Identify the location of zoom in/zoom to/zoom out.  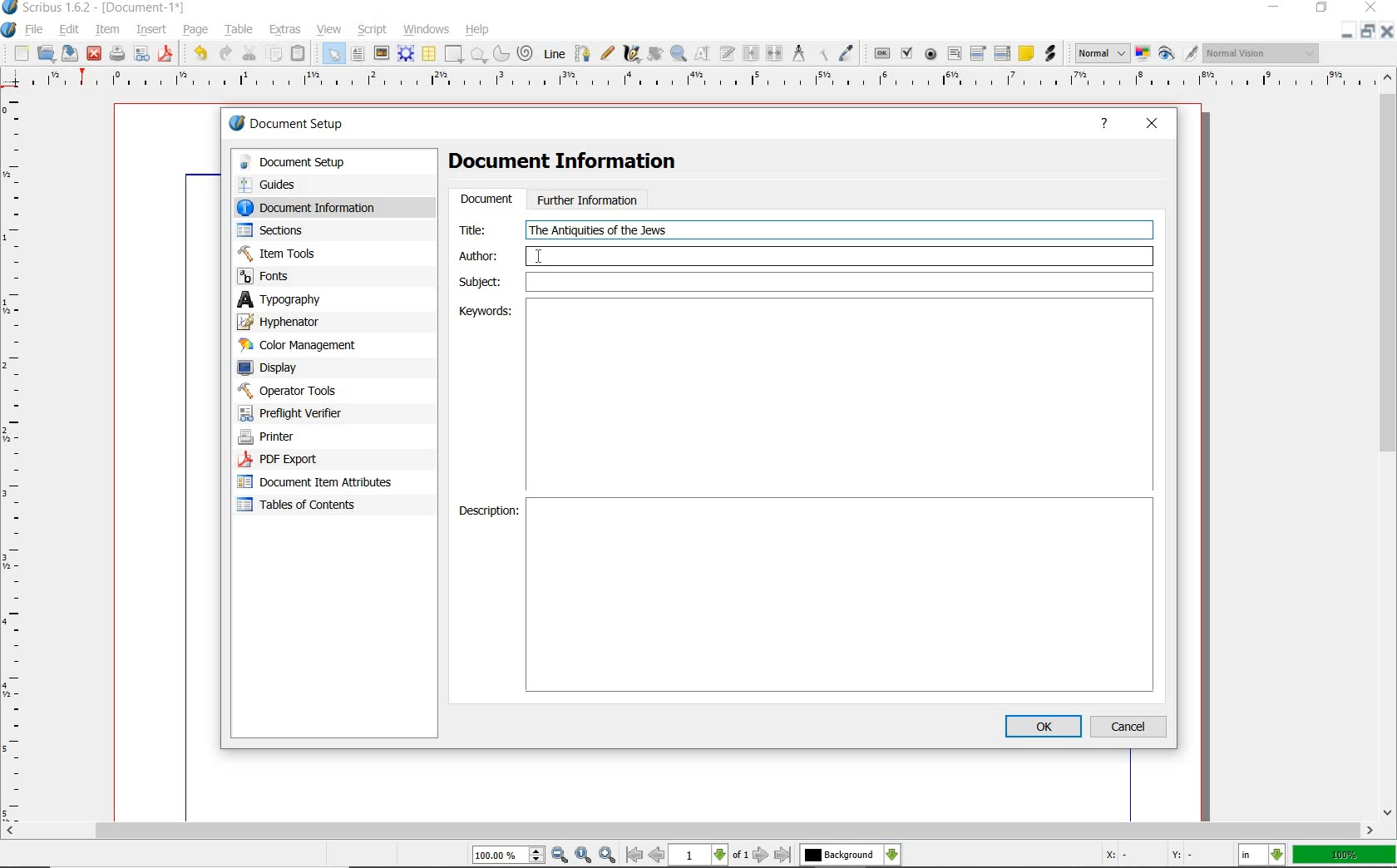
(546, 855).